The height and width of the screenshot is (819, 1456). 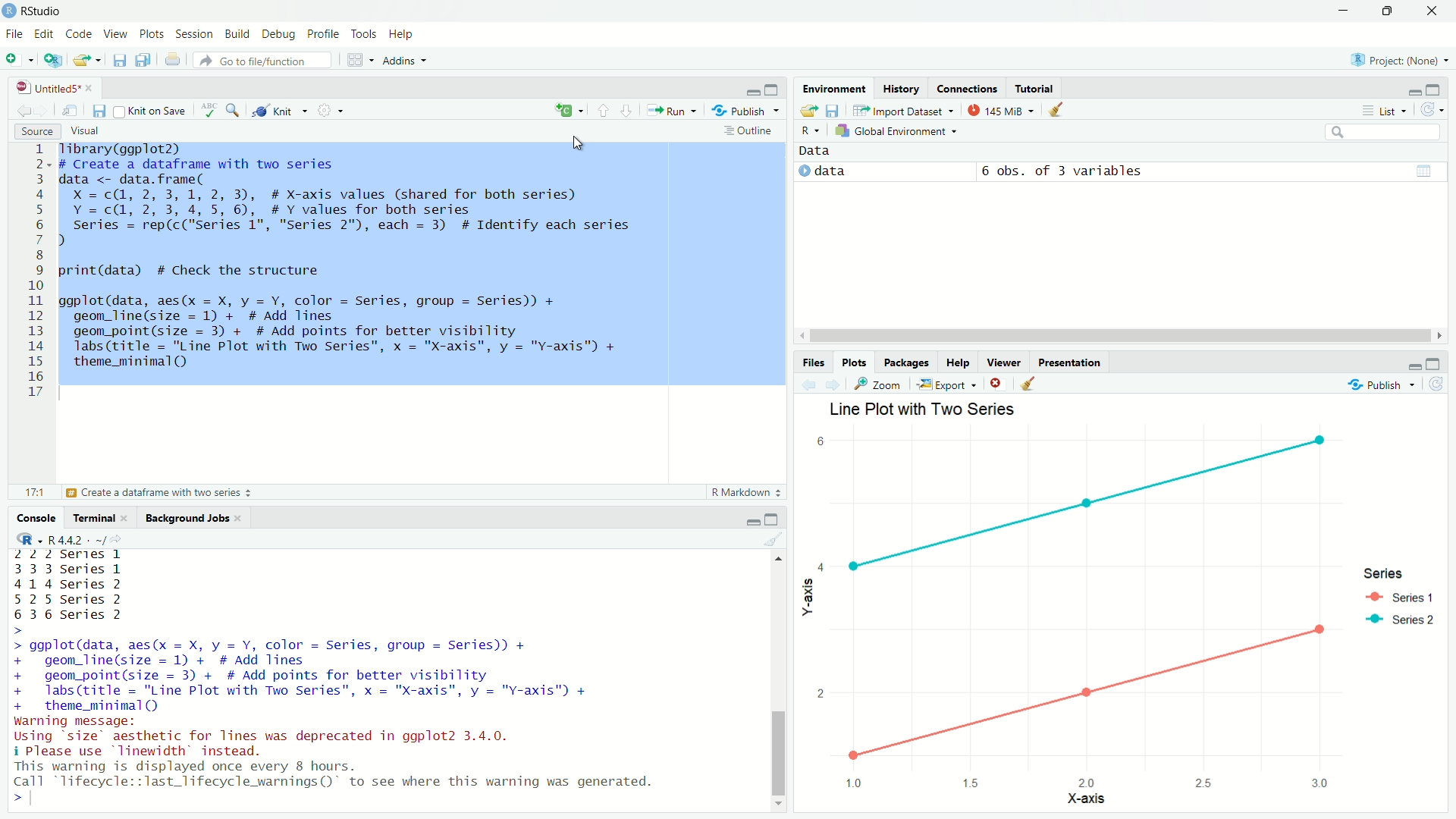 I want to click on Y-axis, so click(x=805, y=601).